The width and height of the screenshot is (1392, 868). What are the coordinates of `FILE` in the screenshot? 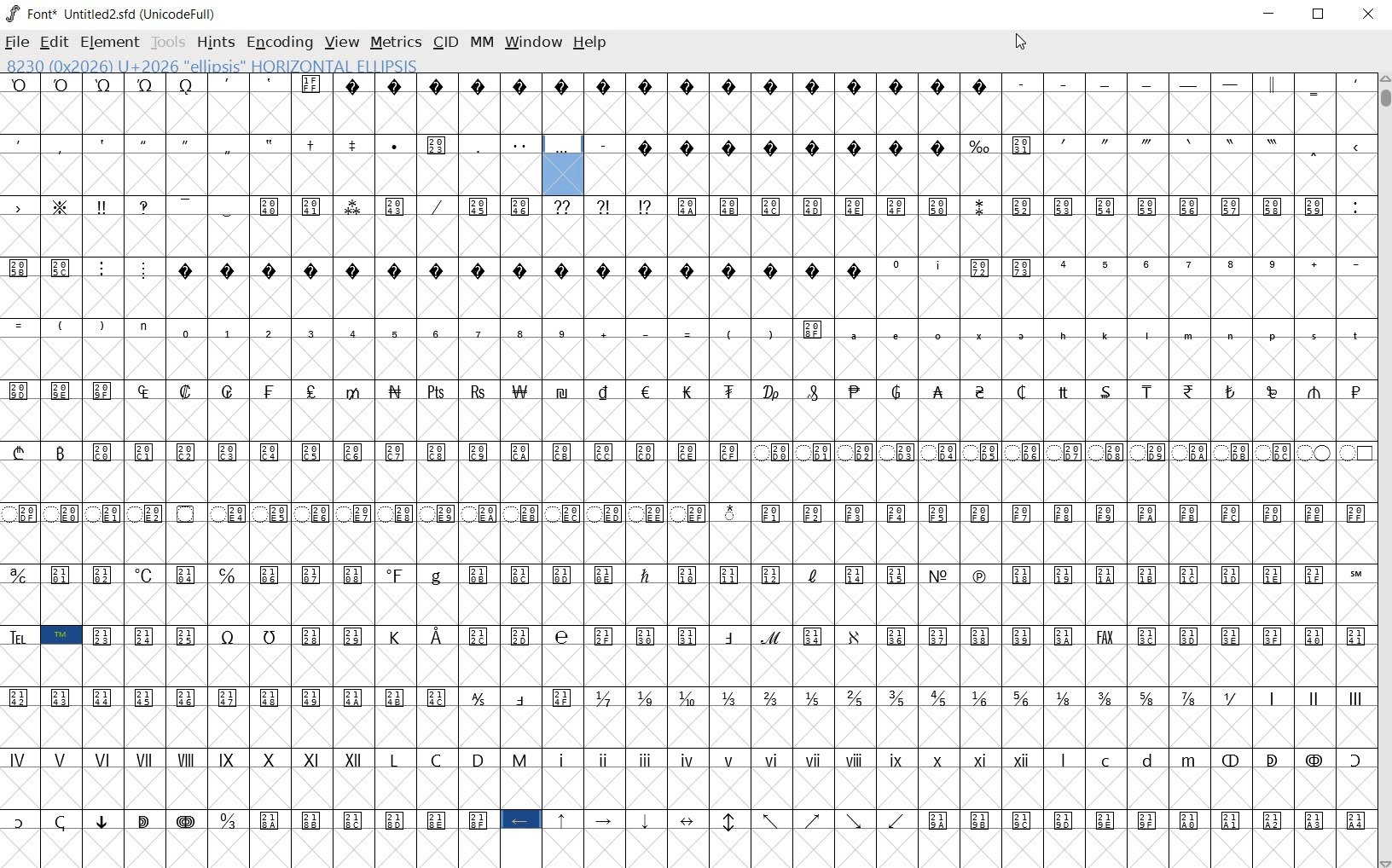 It's located at (17, 42).